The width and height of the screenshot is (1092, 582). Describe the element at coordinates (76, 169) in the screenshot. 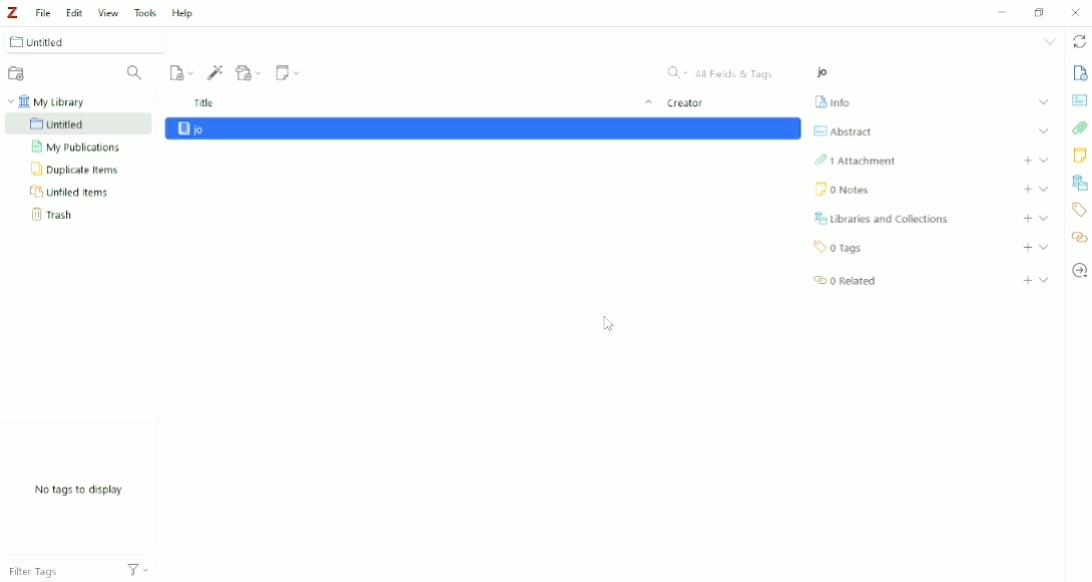

I see `Duplicate Items` at that location.